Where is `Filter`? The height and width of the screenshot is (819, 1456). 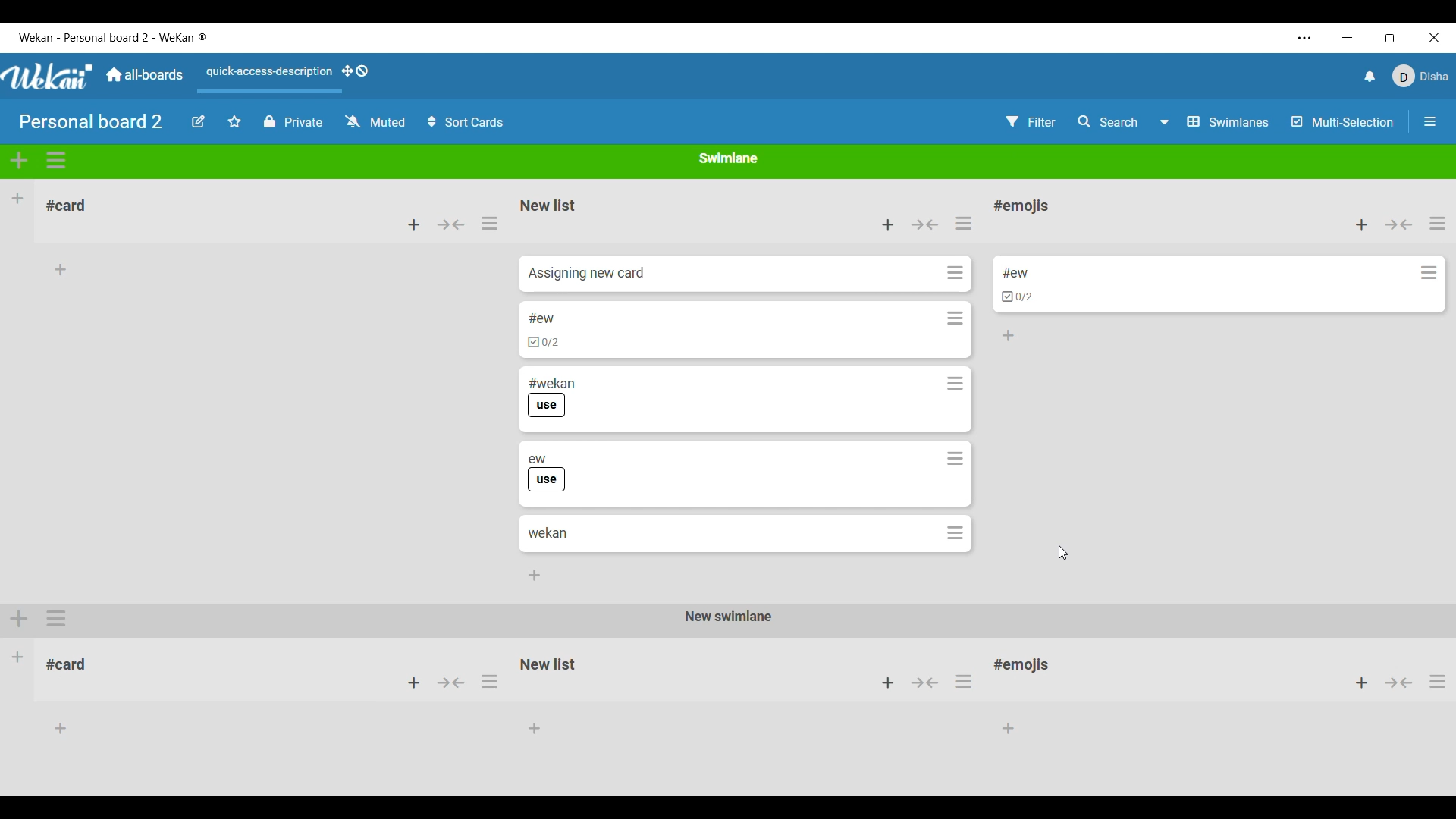 Filter is located at coordinates (1031, 122).